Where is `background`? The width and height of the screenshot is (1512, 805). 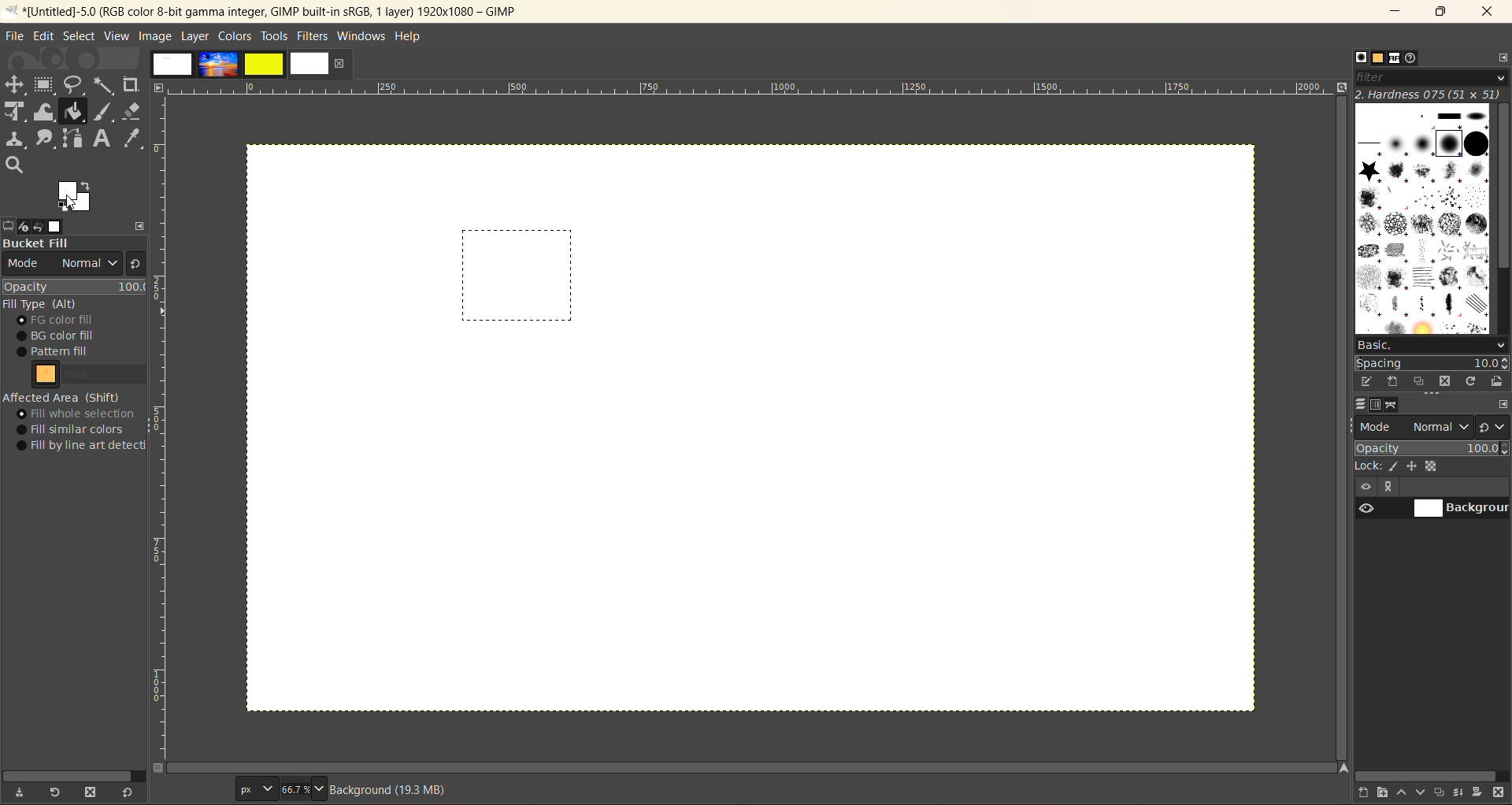
background is located at coordinates (1461, 509).